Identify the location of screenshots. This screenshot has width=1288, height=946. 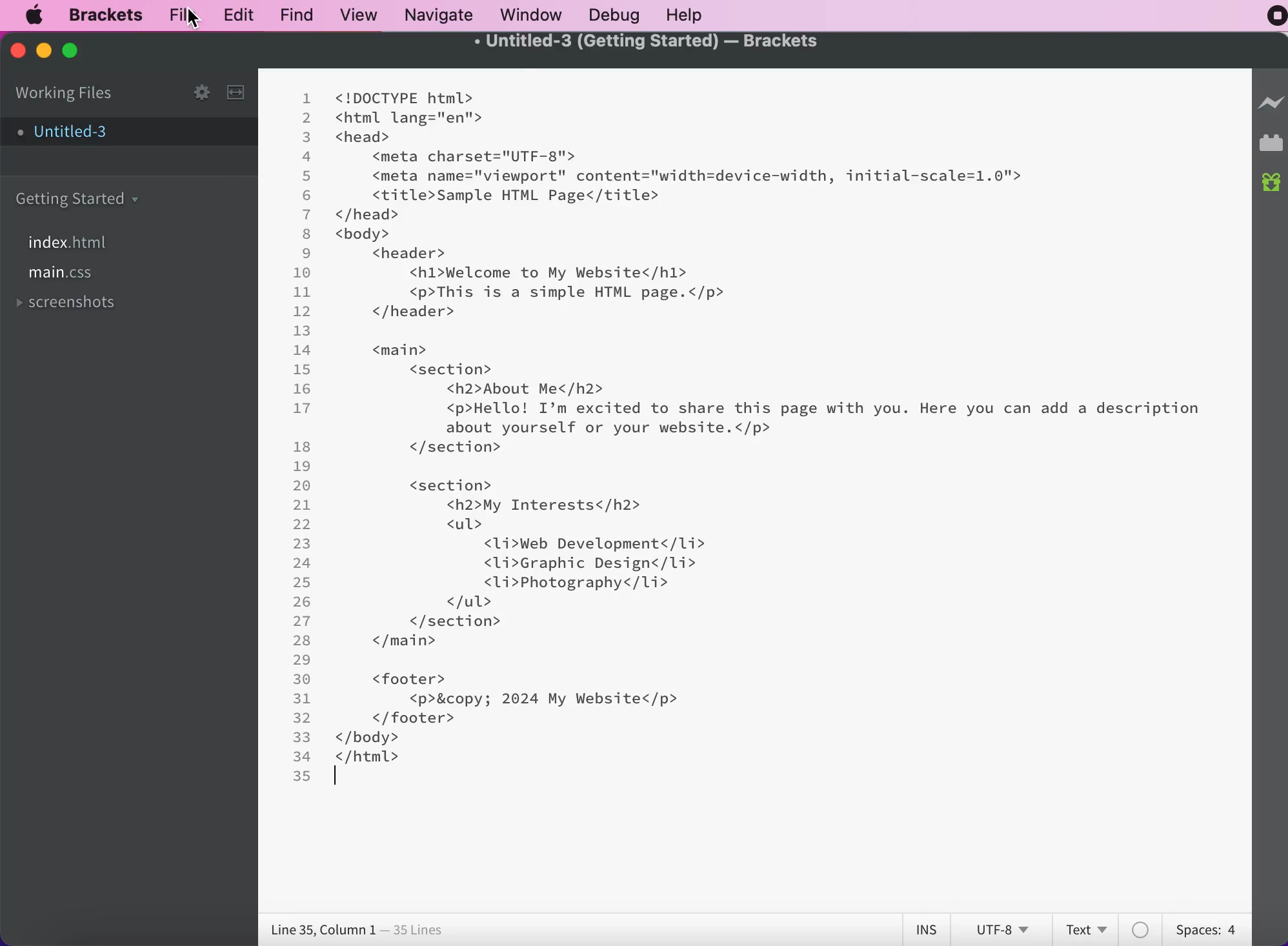
(72, 301).